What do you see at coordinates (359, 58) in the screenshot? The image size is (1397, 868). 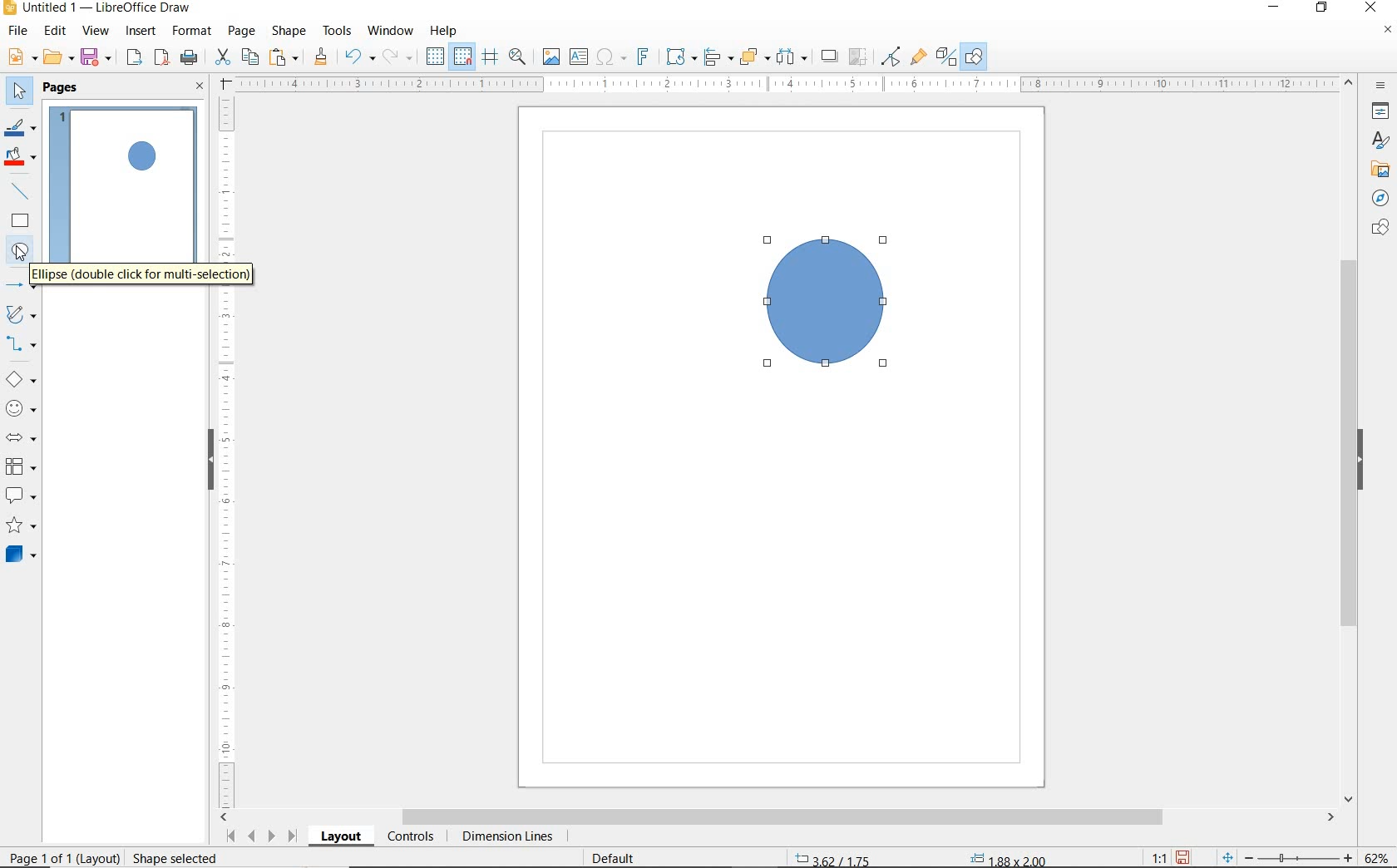 I see `UNDO` at bounding box center [359, 58].